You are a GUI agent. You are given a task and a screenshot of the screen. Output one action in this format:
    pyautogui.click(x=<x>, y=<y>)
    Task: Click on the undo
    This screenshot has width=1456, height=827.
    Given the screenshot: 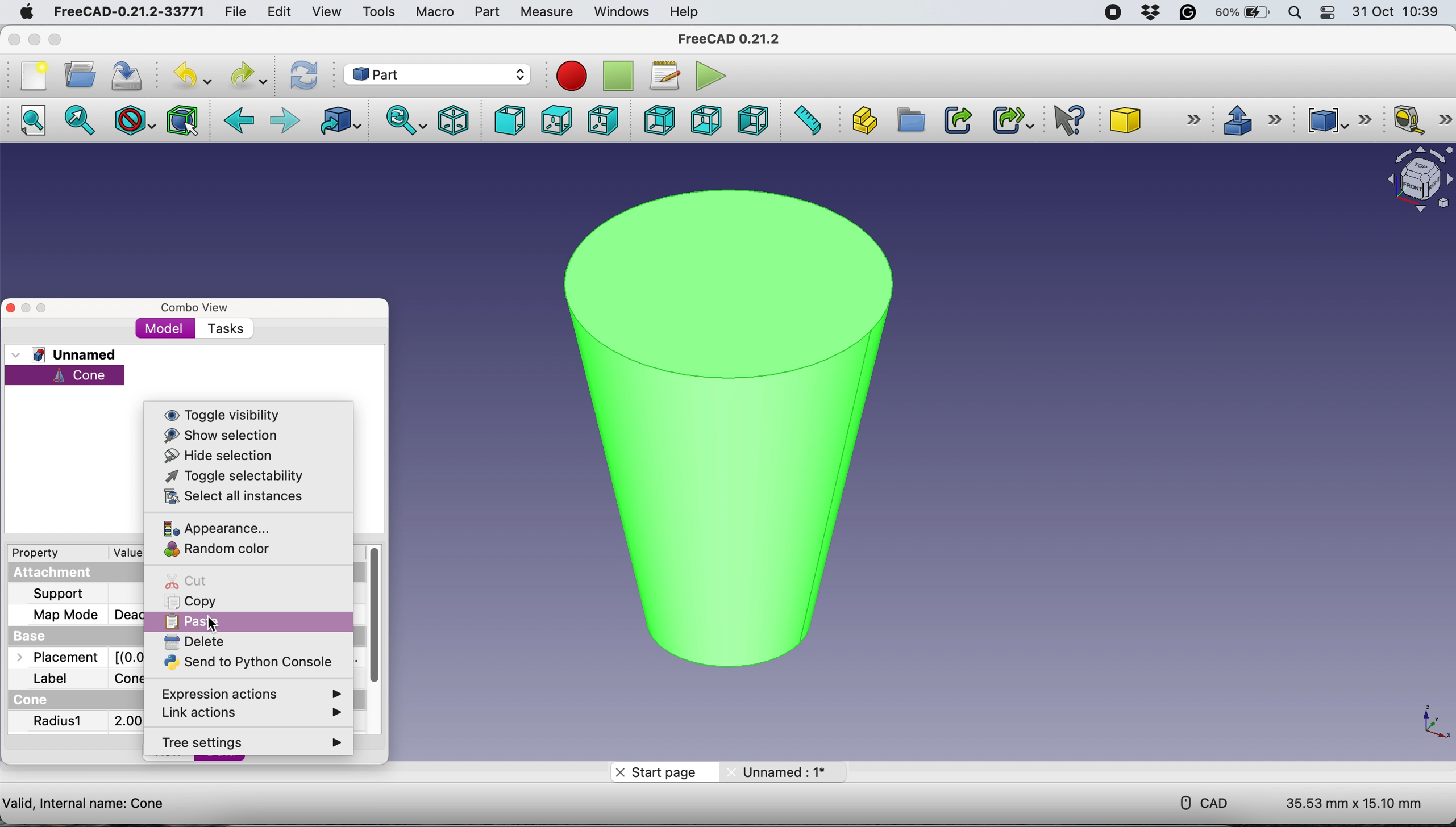 What is the action you would take?
    pyautogui.click(x=188, y=76)
    